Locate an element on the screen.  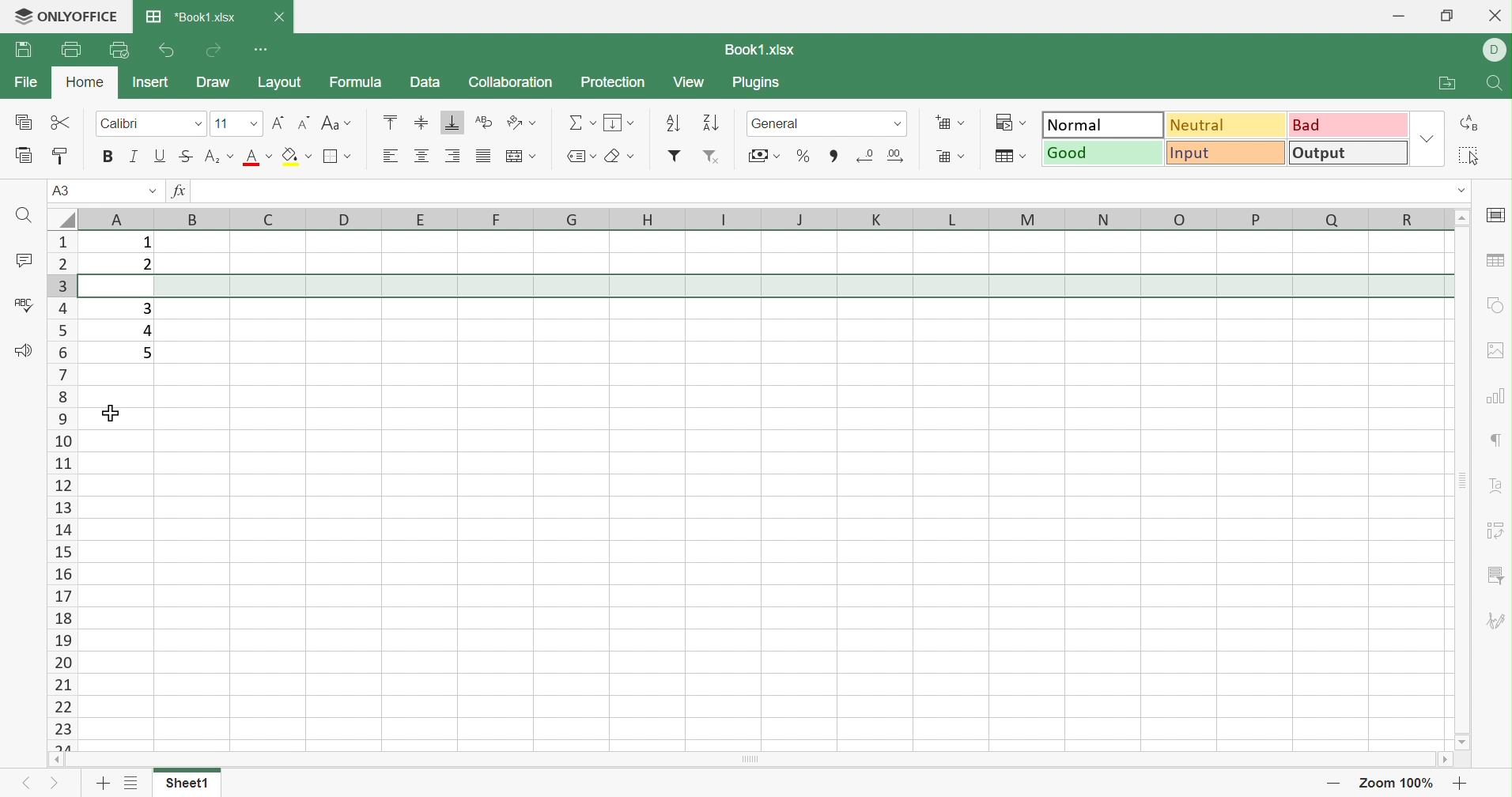
3 is located at coordinates (146, 308).